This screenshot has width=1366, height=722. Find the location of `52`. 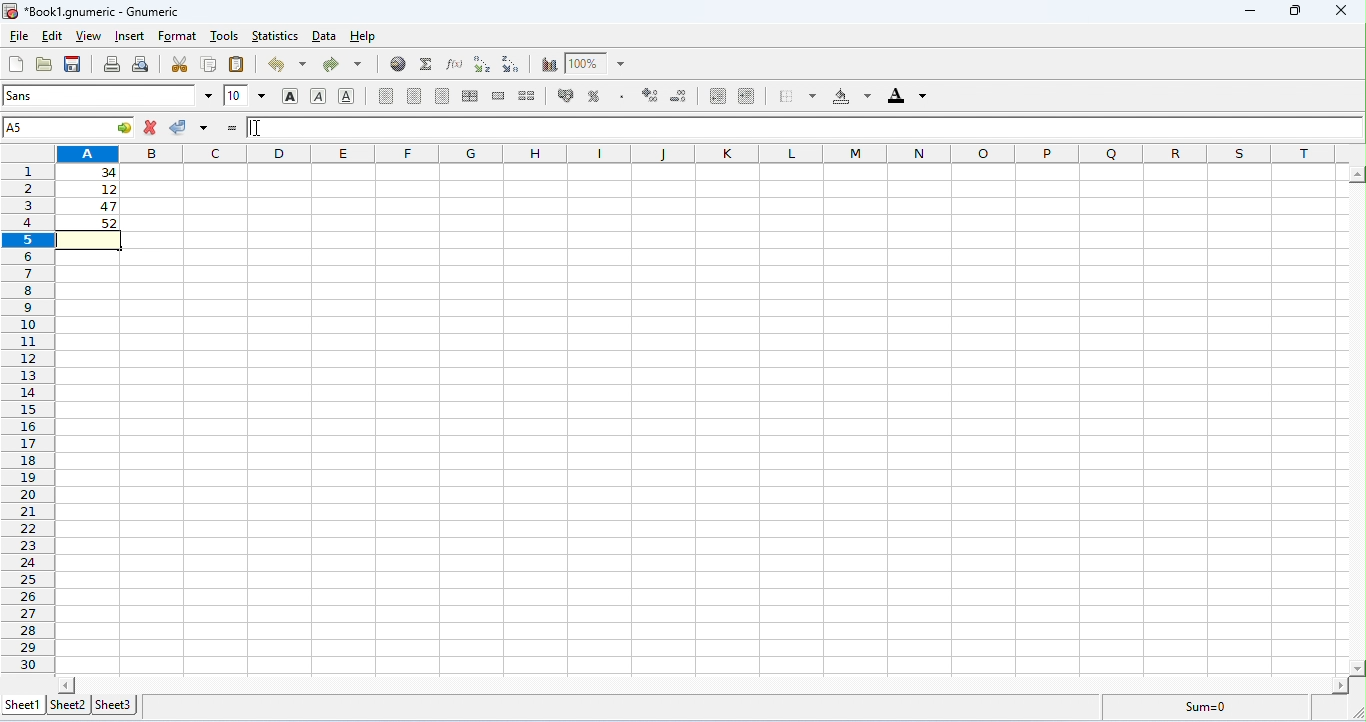

52 is located at coordinates (91, 223).